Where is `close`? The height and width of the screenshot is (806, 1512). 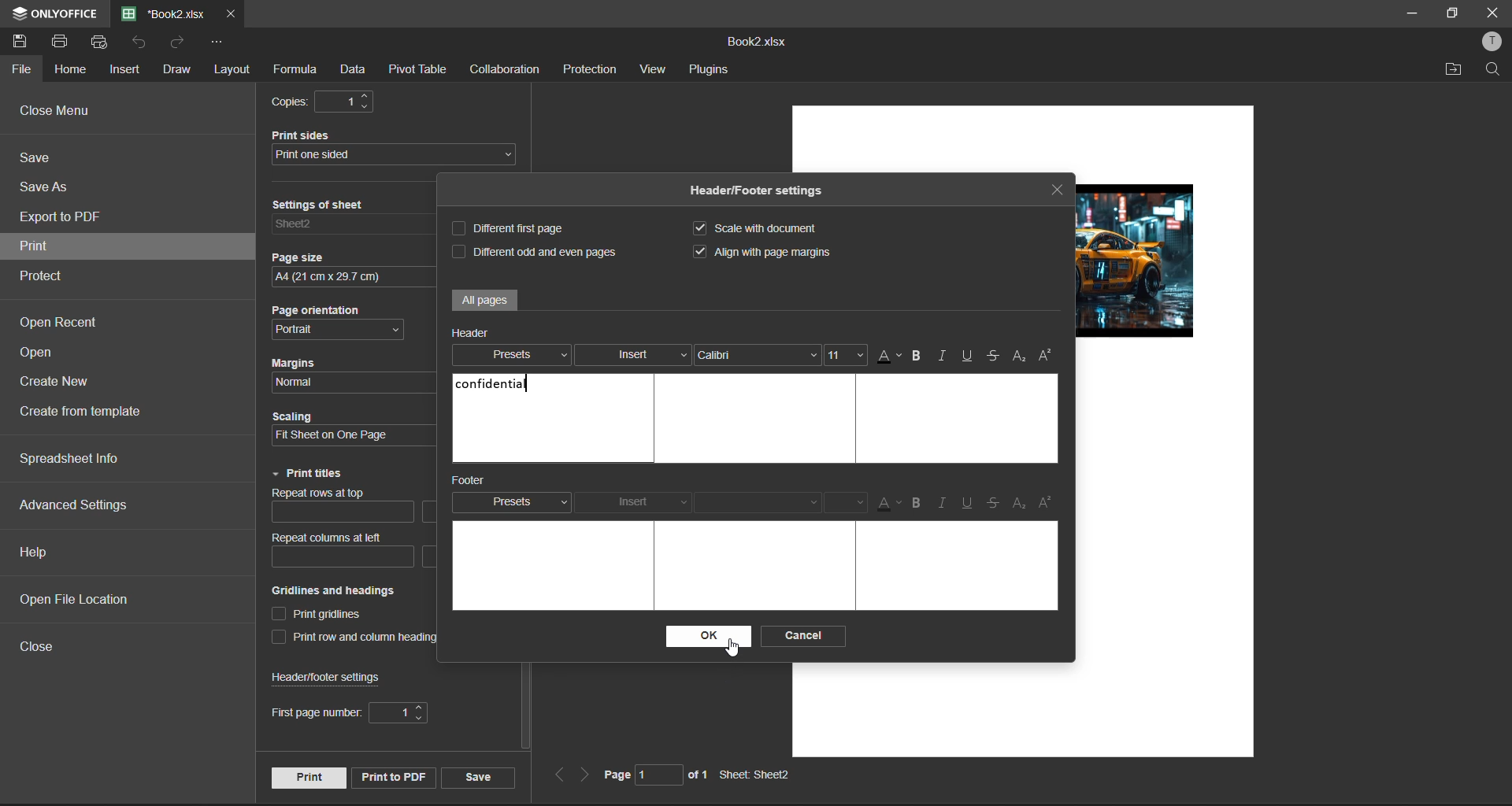 close is located at coordinates (1493, 12).